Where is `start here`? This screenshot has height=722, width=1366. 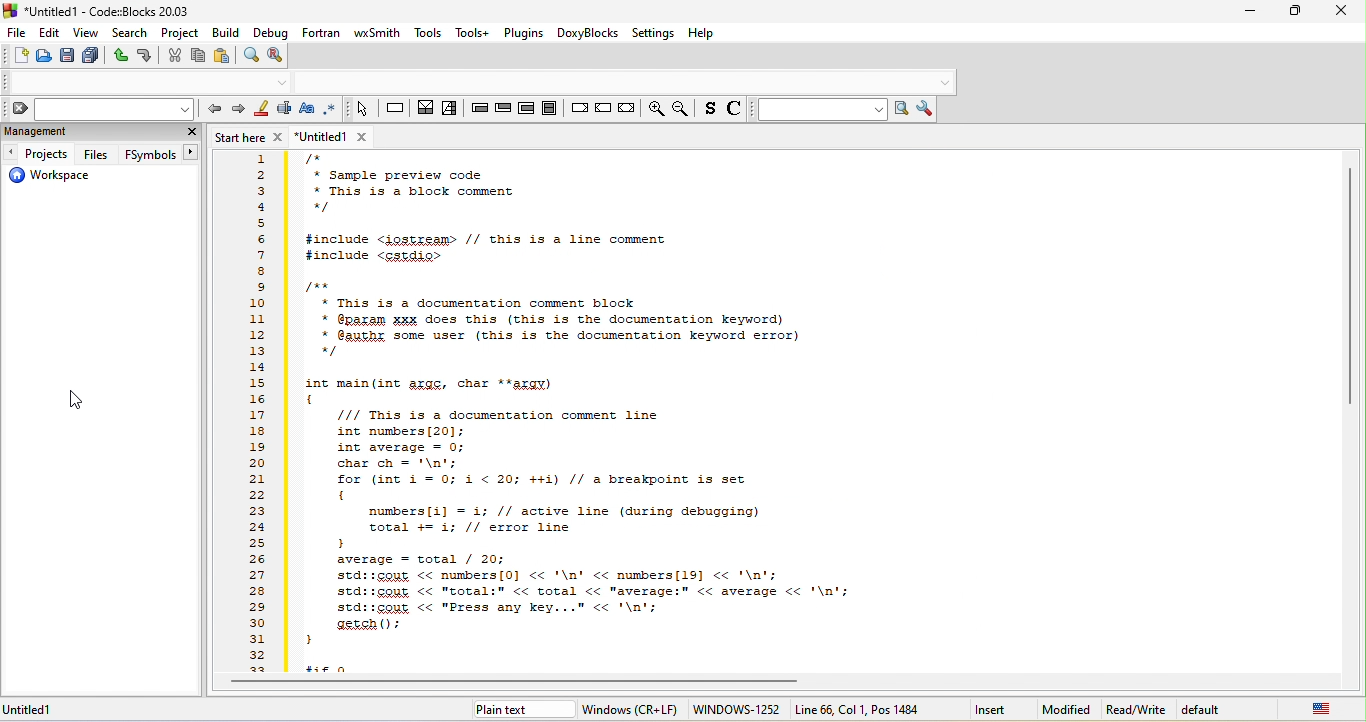 start here is located at coordinates (250, 138).